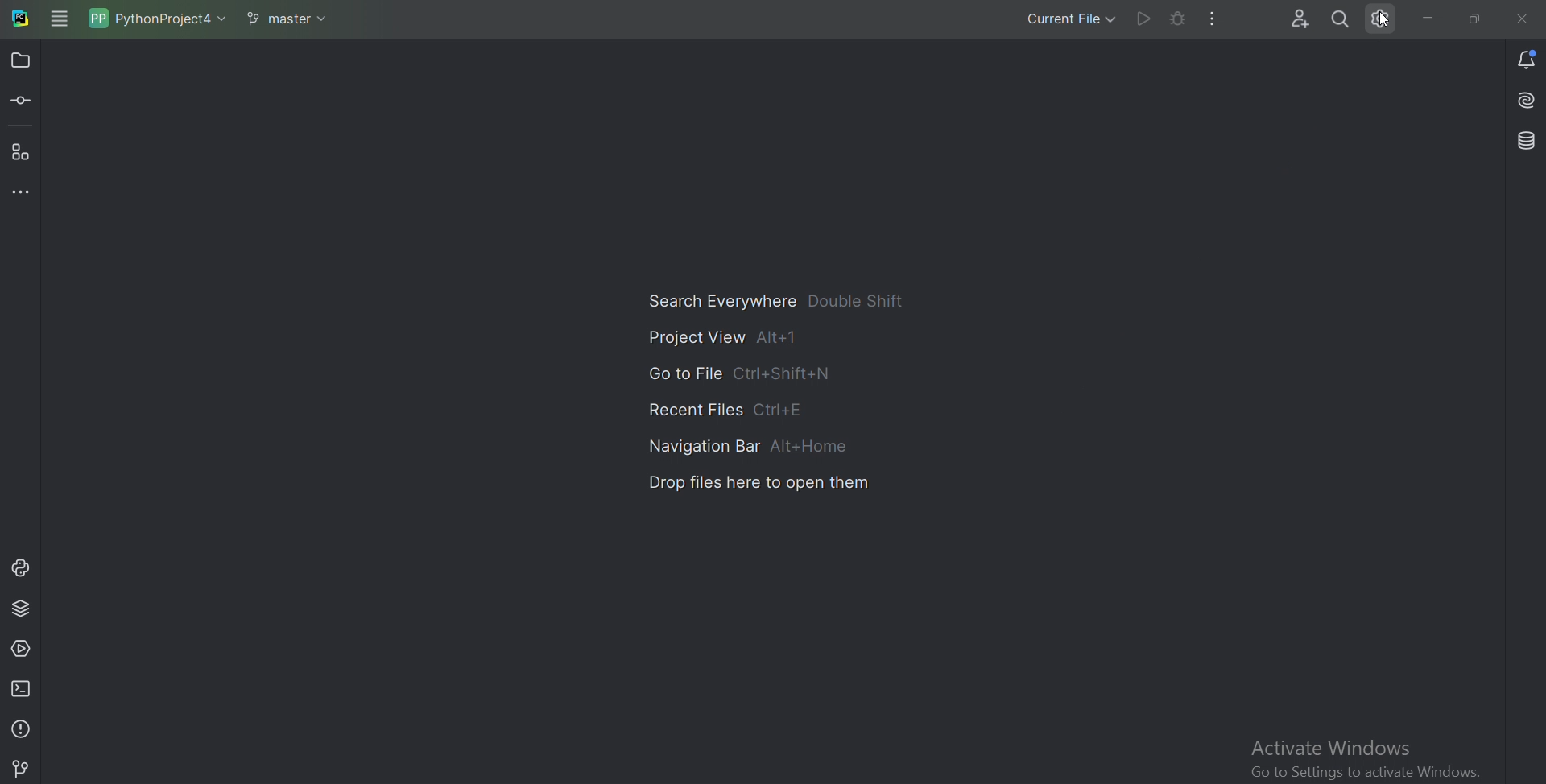 This screenshot has height=784, width=1546. Describe the element at coordinates (748, 440) in the screenshot. I see `Navigation bar alt+home` at that location.